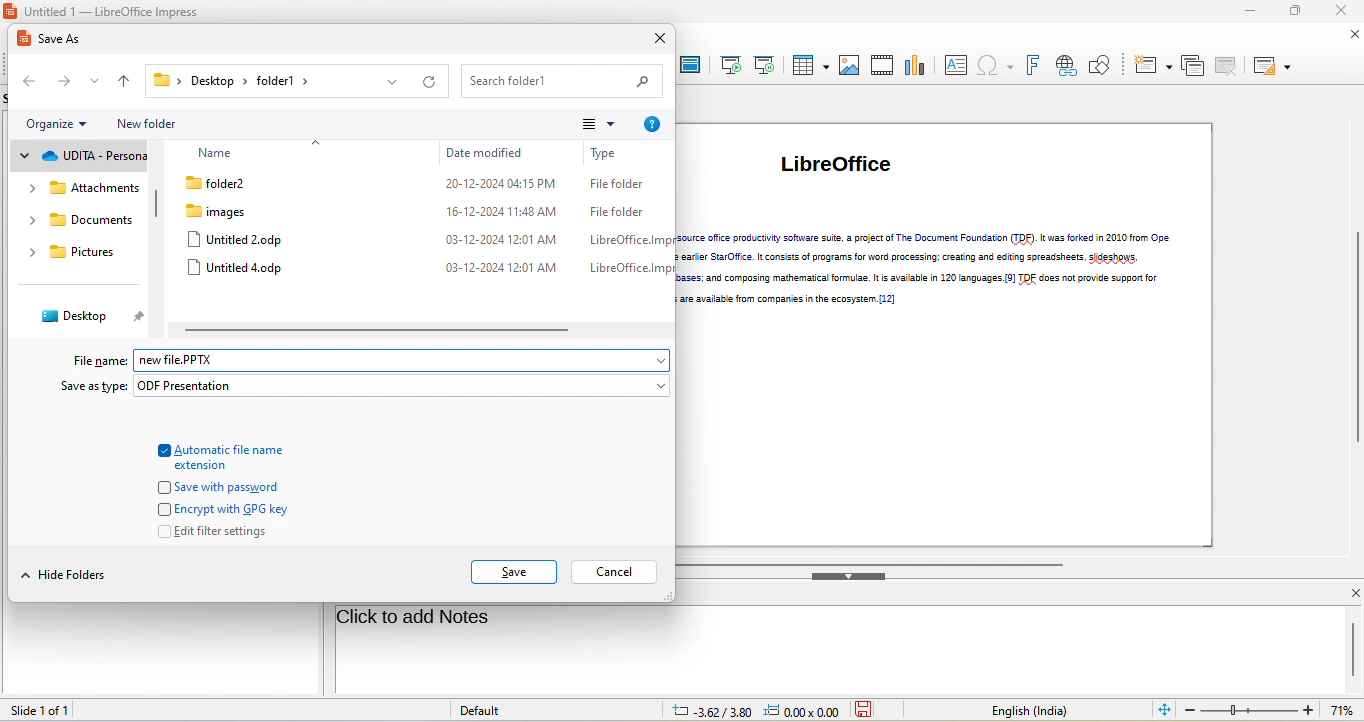 The image size is (1364, 722). I want to click on  Untitled 1 — LibreOffice Impress, so click(105, 11).